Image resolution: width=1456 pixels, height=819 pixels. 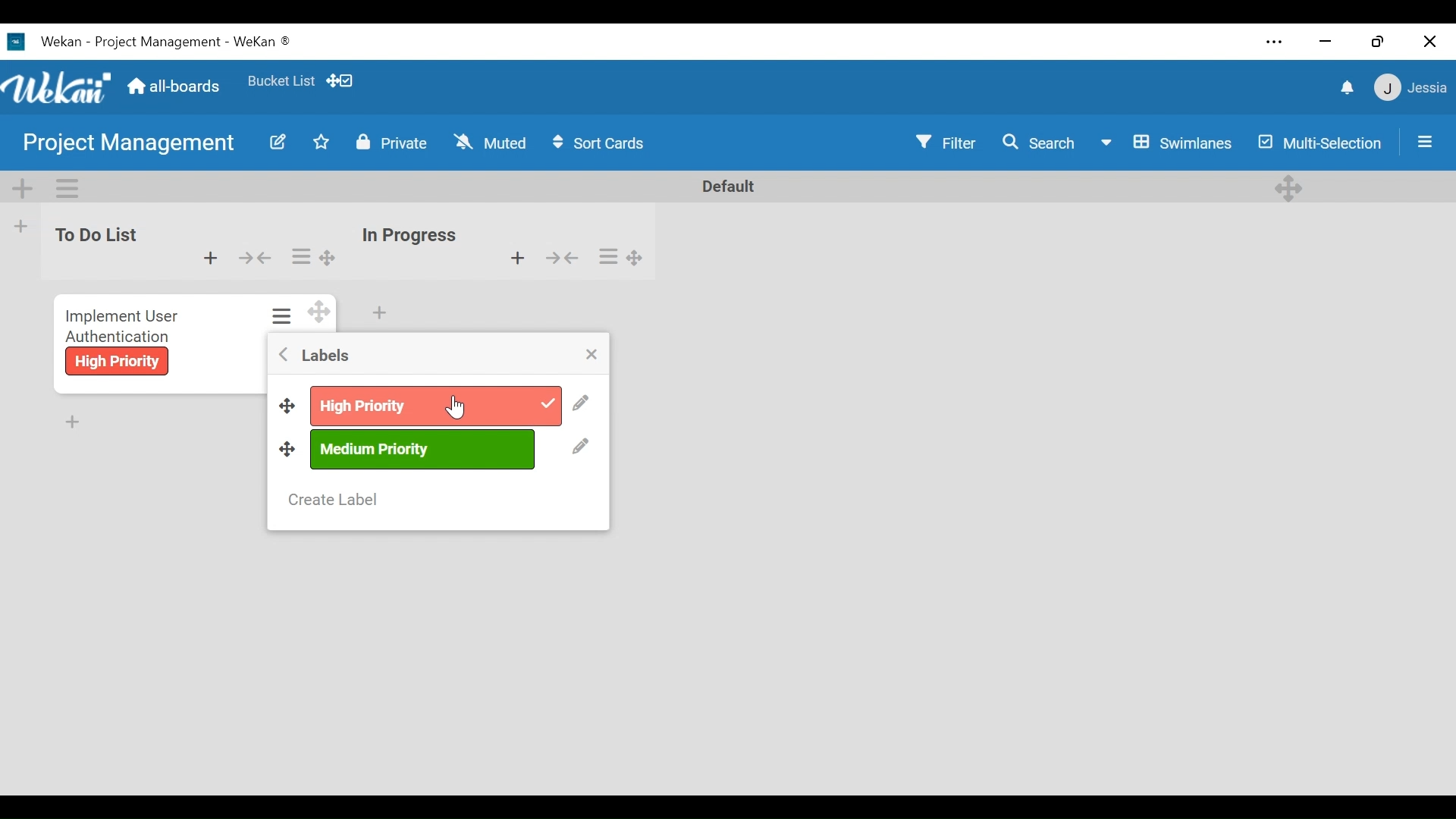 What do you see at coordinates (324, 356) in the screenshot?
I see `Labels` at bounding box center [324, 356].